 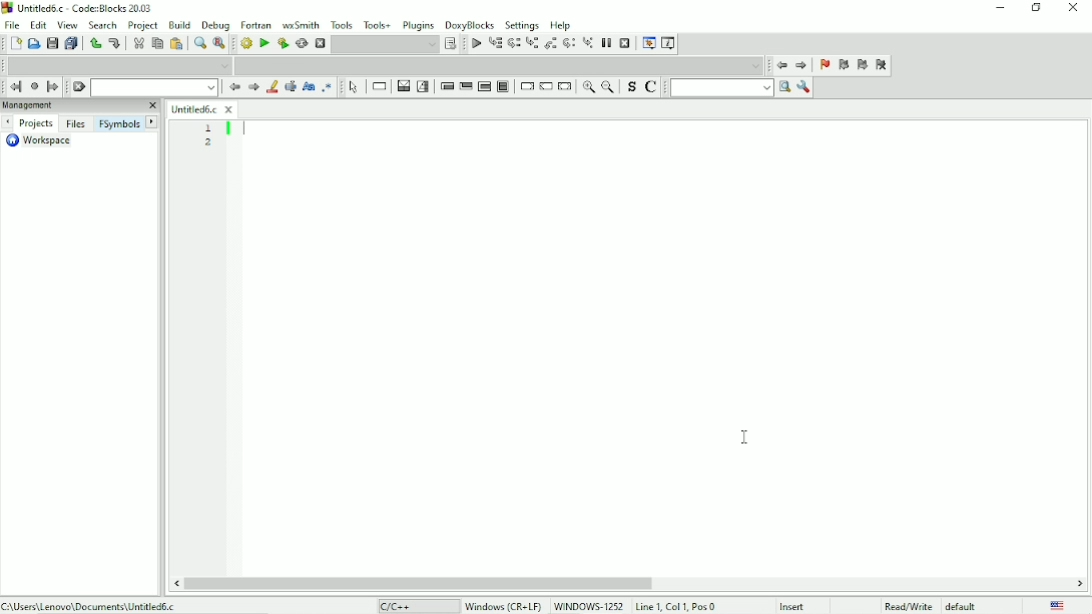 I want to click on Abort, so click(x=319, y=44).